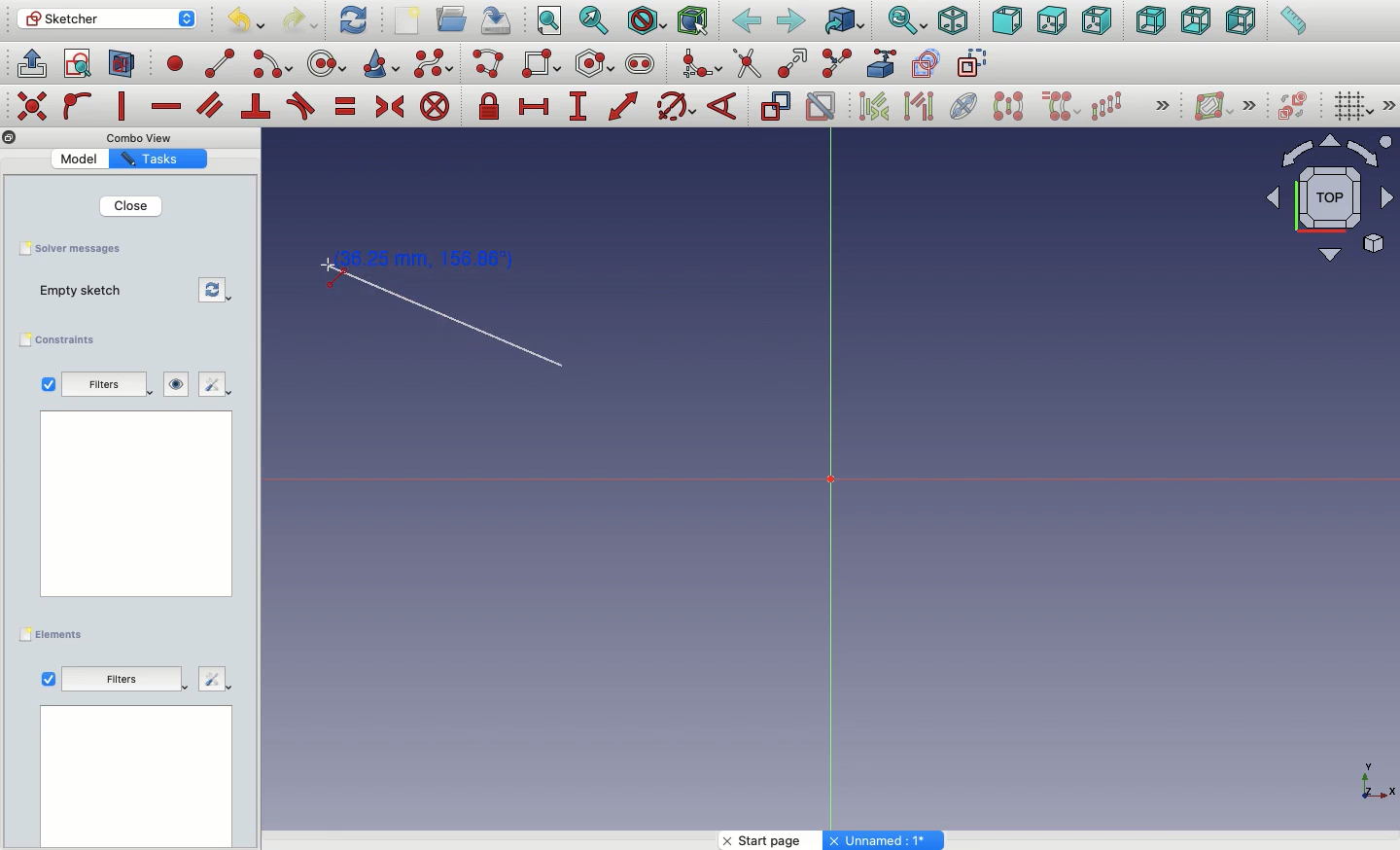 This screenshot has width=1400, height=850. I want to click on View sketch, so click(78, 65).